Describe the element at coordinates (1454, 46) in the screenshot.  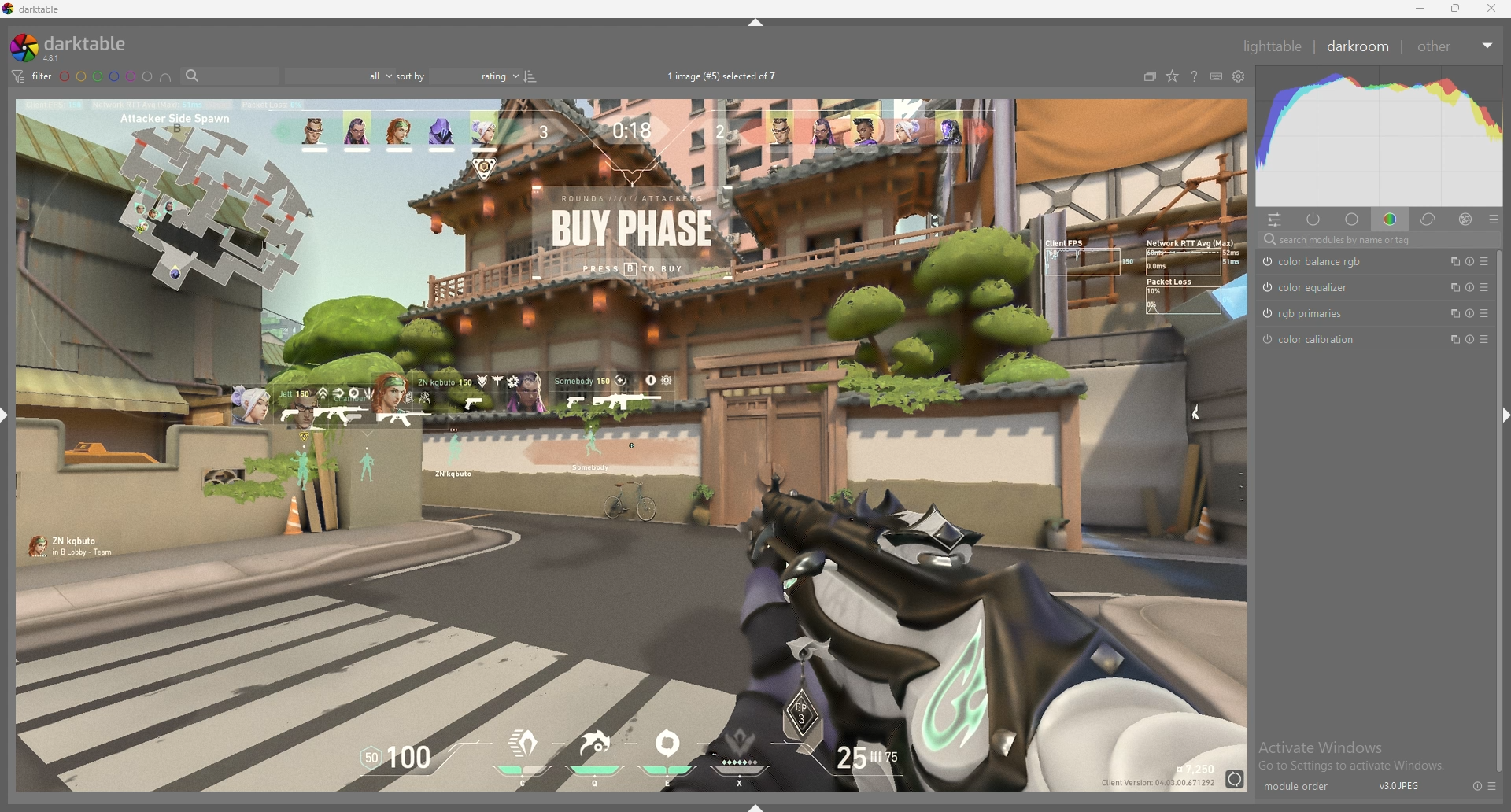
I see `other` at that location.